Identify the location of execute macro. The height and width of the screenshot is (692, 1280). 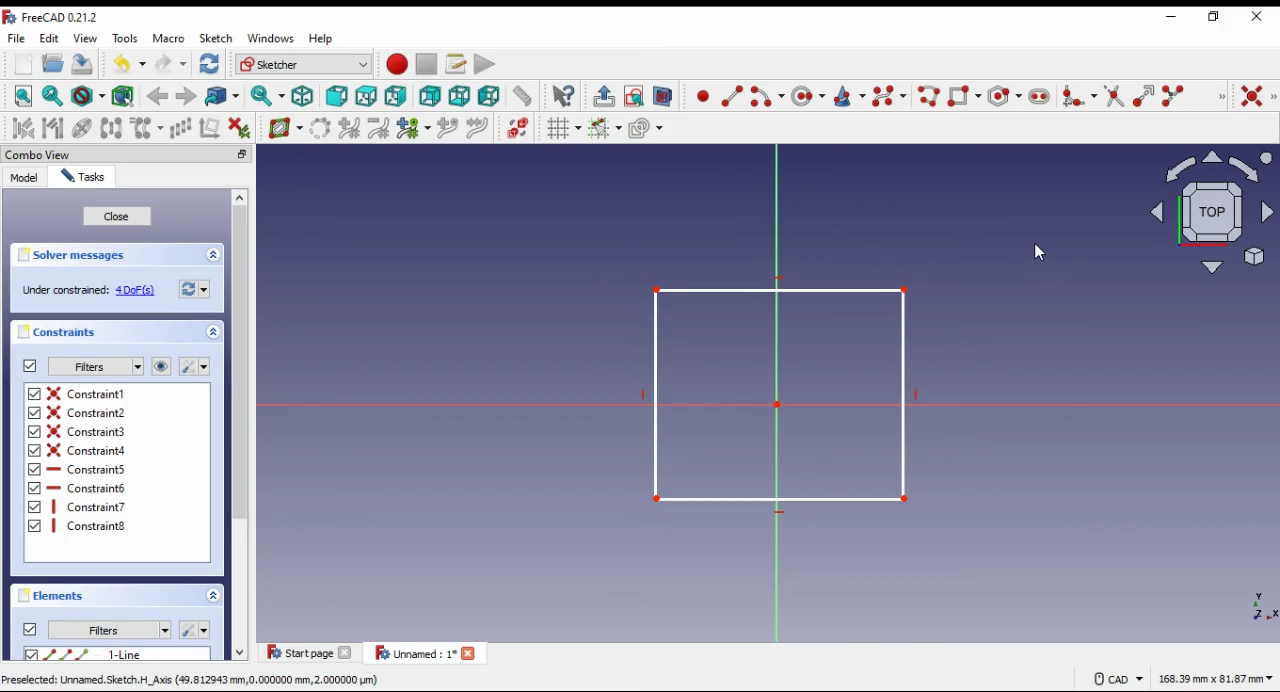
(485, 63).